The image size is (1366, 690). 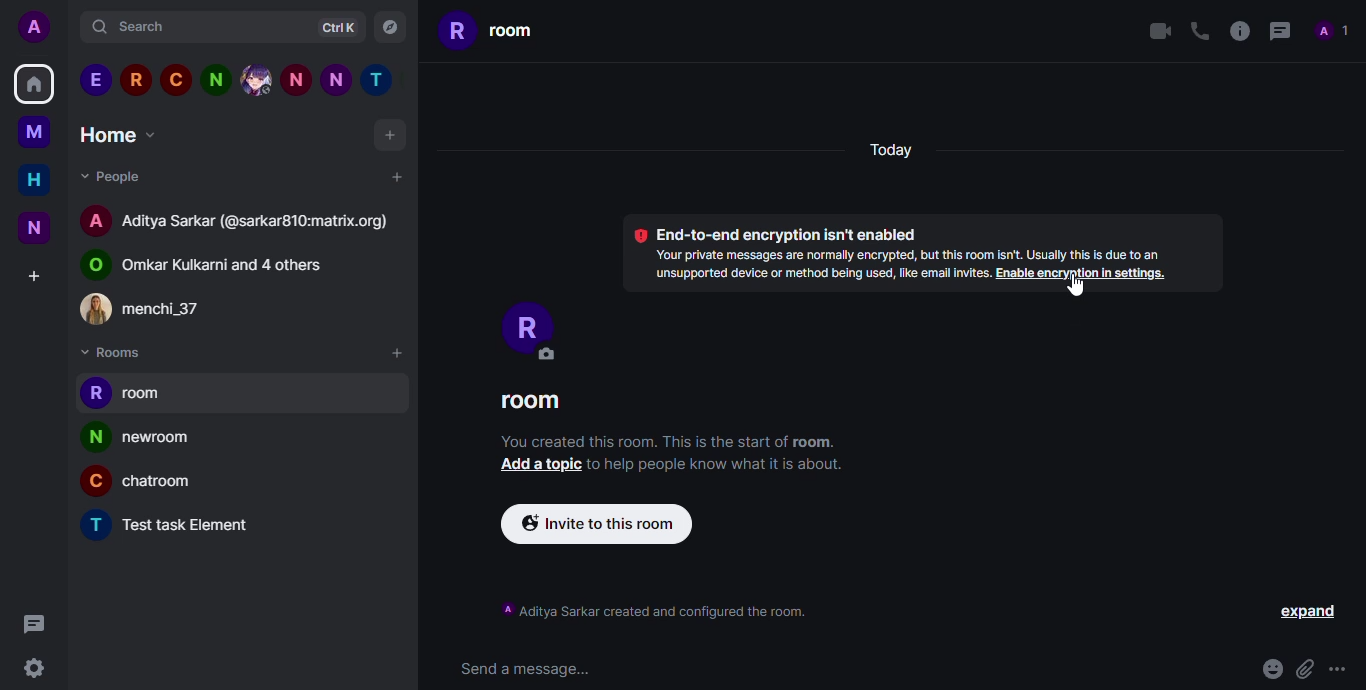 What do you see at coordinates (1197, 30) in the screenshot?
I see `voice call` at bounding box center [1197, 30].